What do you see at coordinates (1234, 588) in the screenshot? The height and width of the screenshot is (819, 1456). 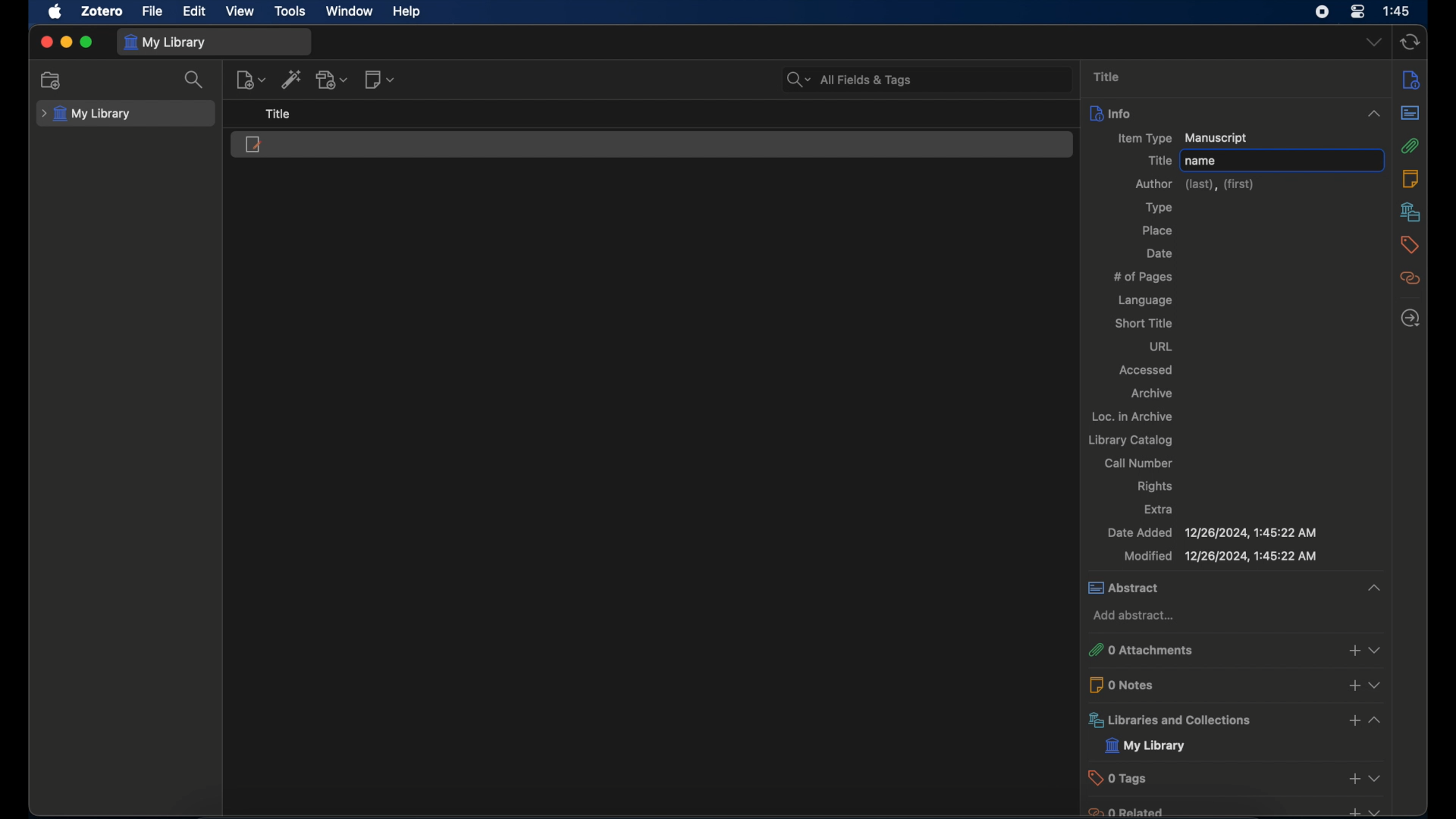 I see `abstract` at bounding box center [1234, 588].